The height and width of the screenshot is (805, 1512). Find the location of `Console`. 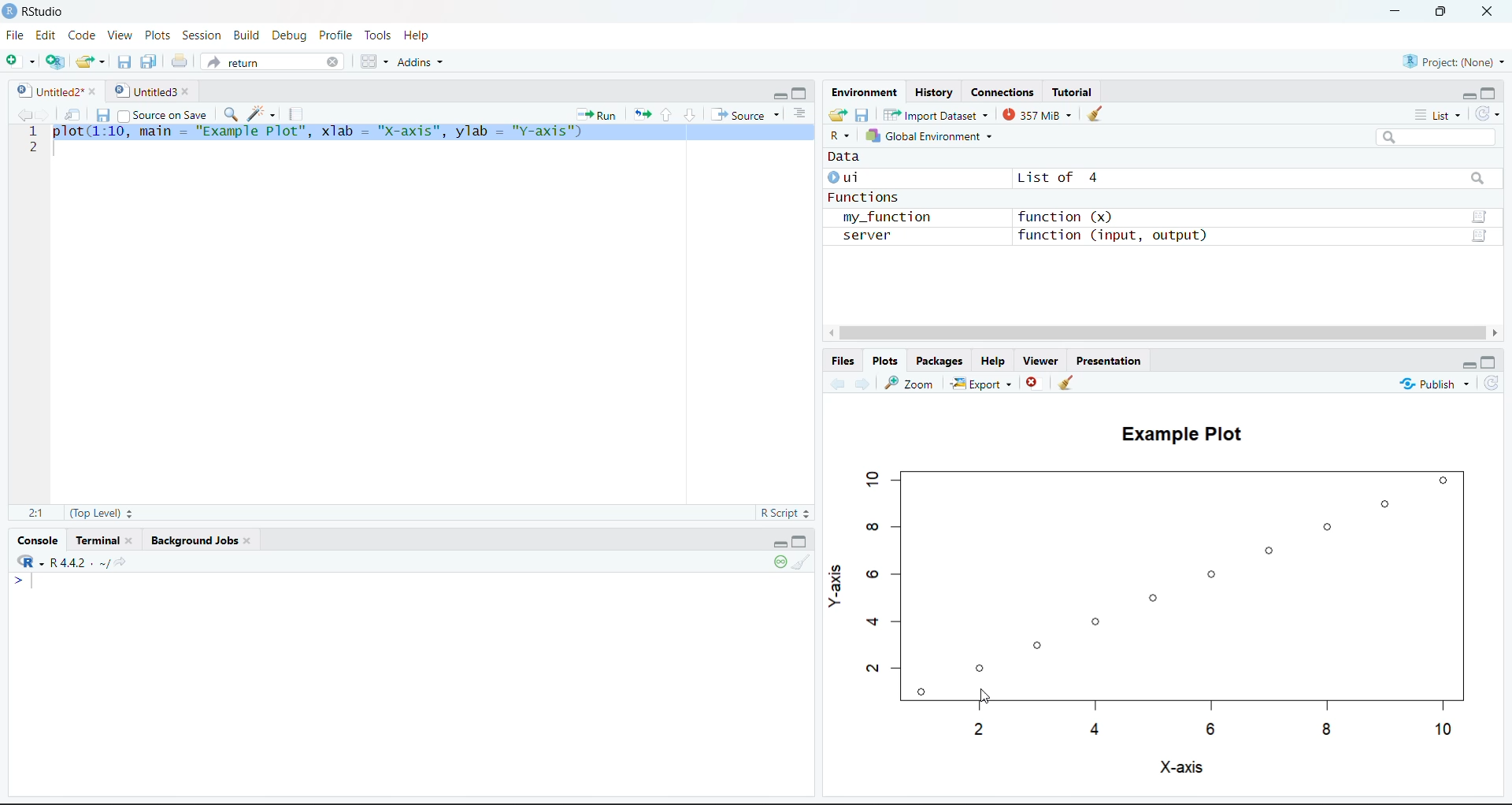

Console is located at coordinates (40, 538).